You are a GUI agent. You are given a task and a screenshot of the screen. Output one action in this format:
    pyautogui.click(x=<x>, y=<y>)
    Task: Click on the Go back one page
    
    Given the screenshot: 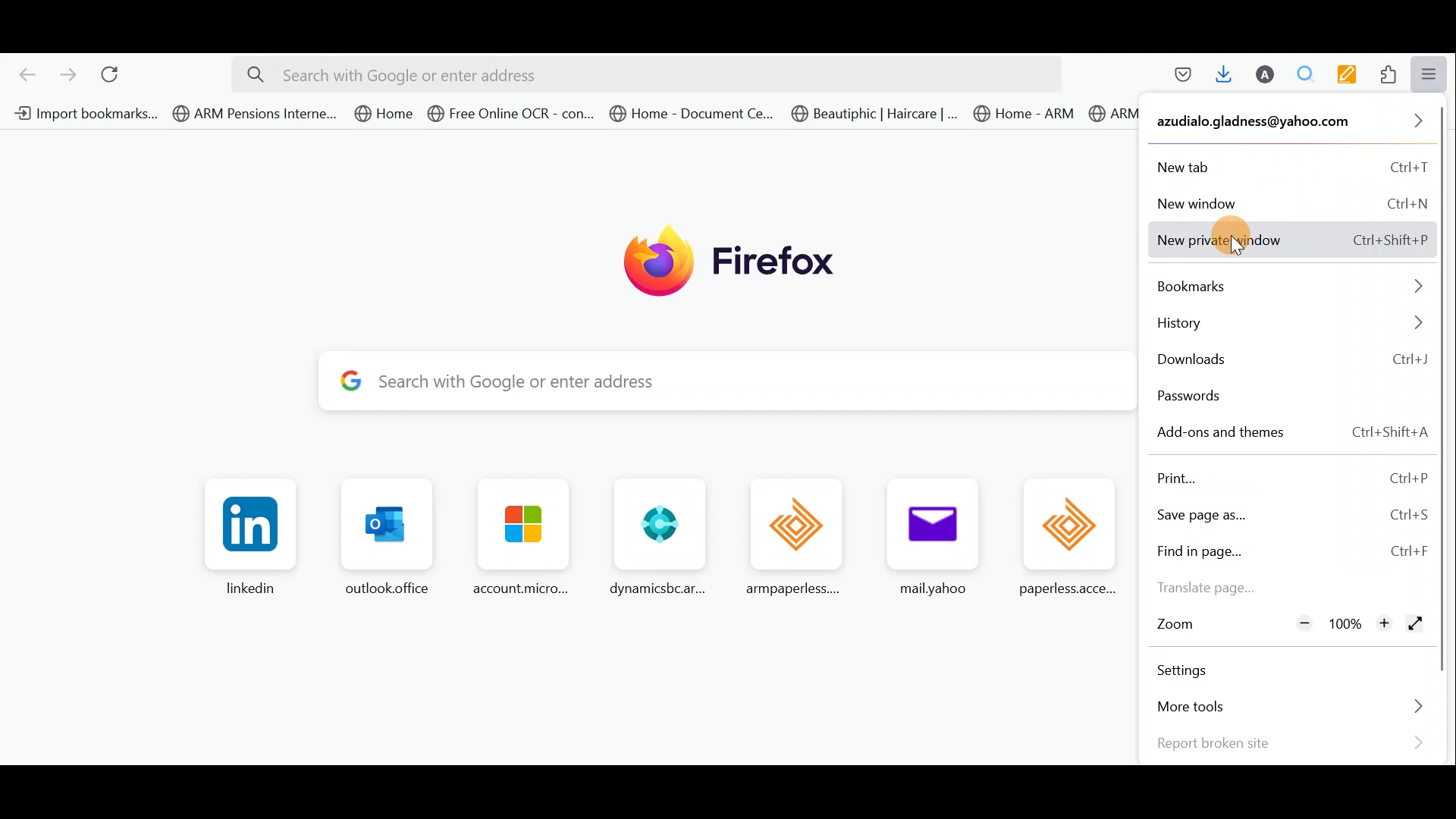 What is the action you would take?
    pyautogui.click(x=23, y=73)
    